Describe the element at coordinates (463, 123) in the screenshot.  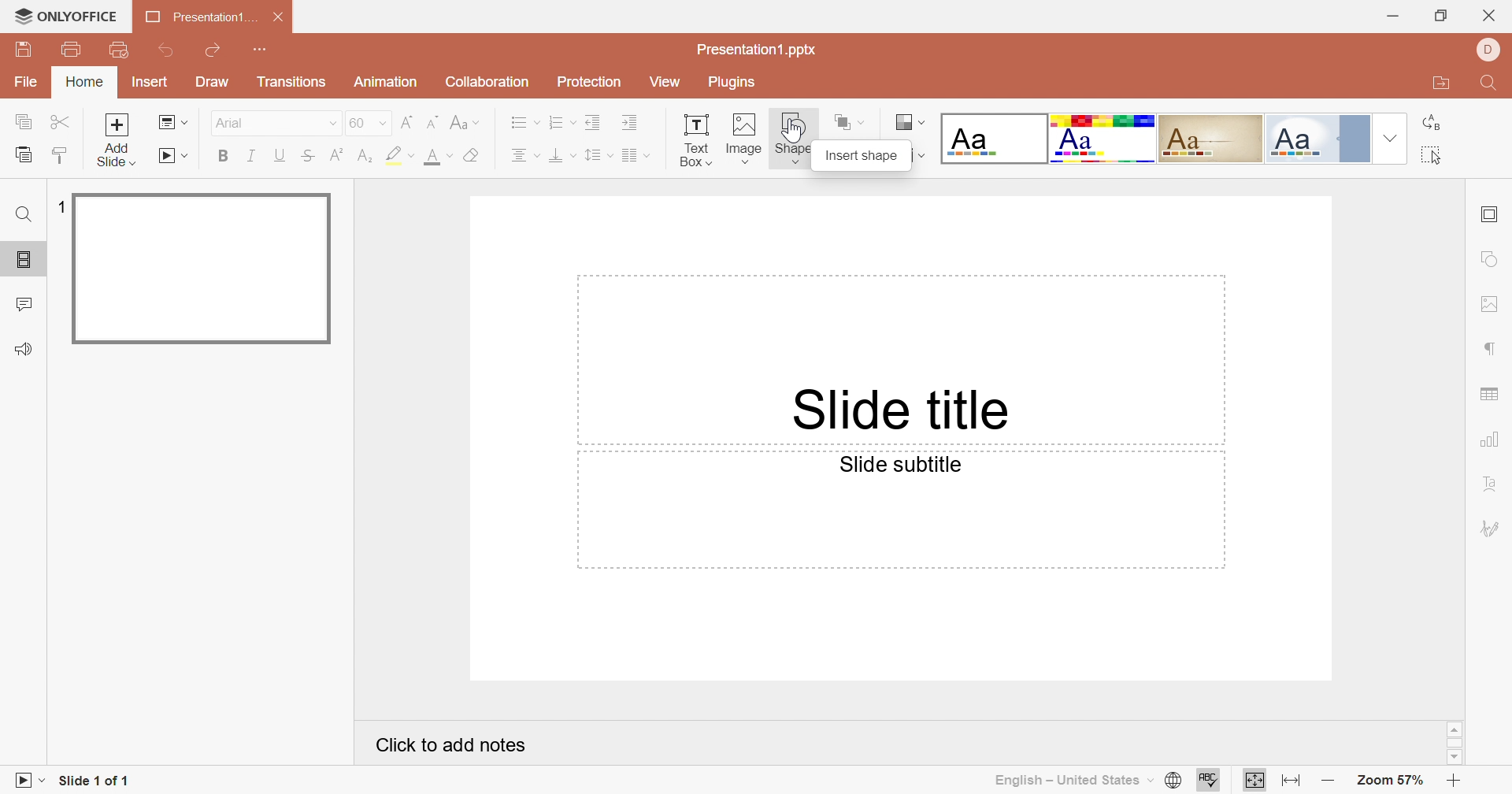
I see `Change case` at that location.